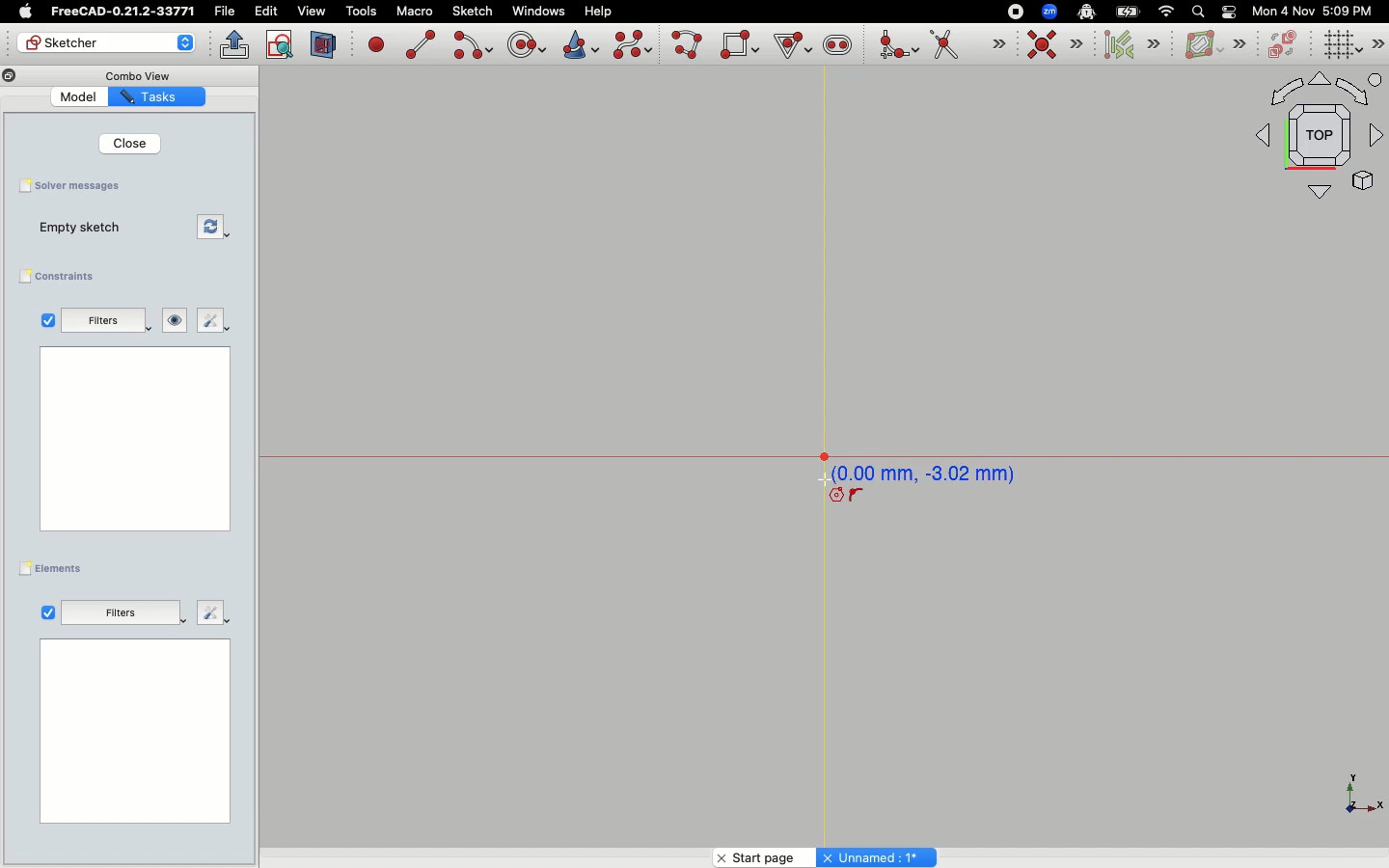 This screenshot has width=1389, height=868. Describe the element at coordinates (633, 44) in the screenshot. I see `Create b-spline` at that location.